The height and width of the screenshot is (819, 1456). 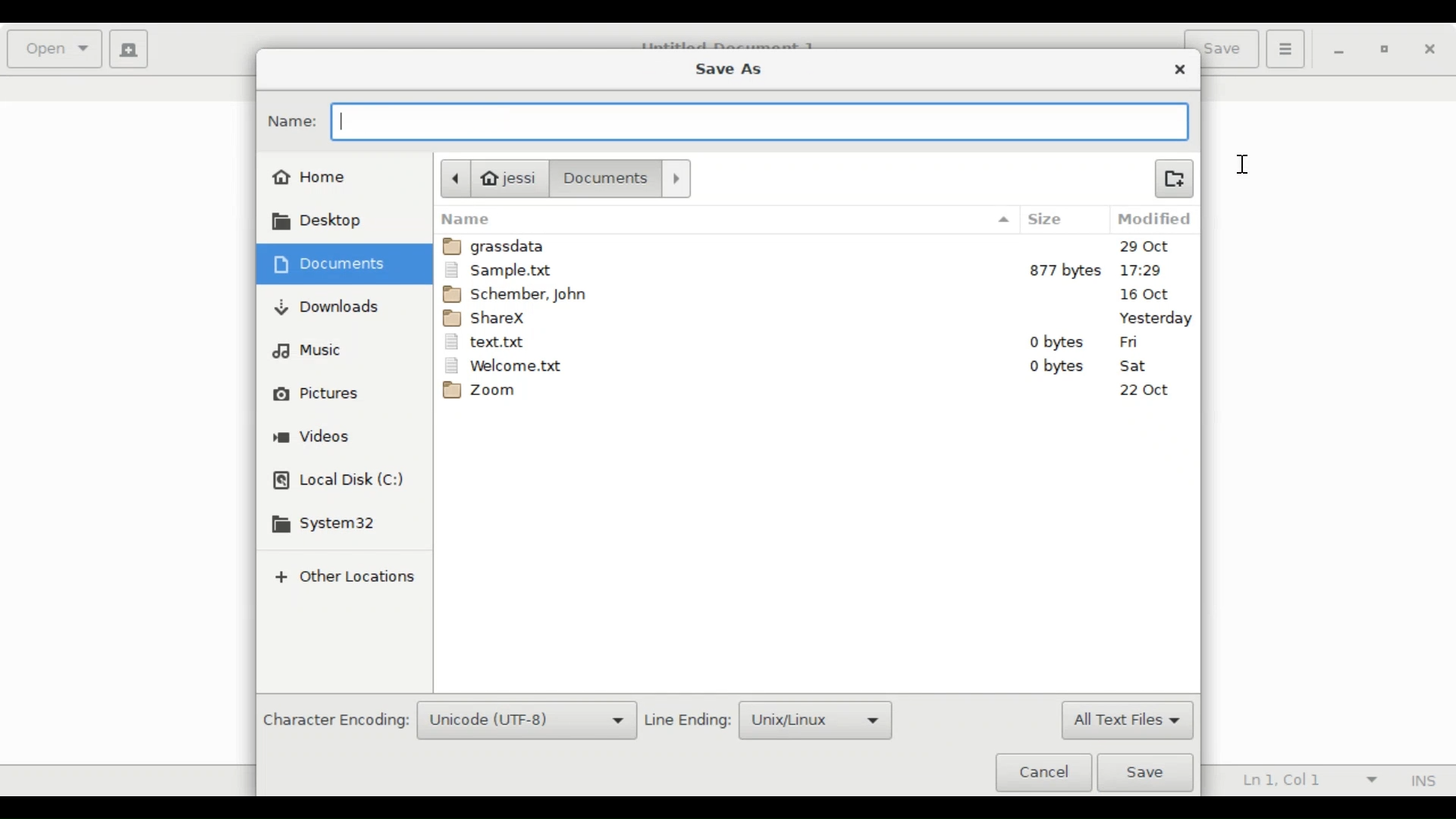 What do you see at coordinates (334, 264) in the screenshot?
I see `Documents` at bounding box center [334, 264].